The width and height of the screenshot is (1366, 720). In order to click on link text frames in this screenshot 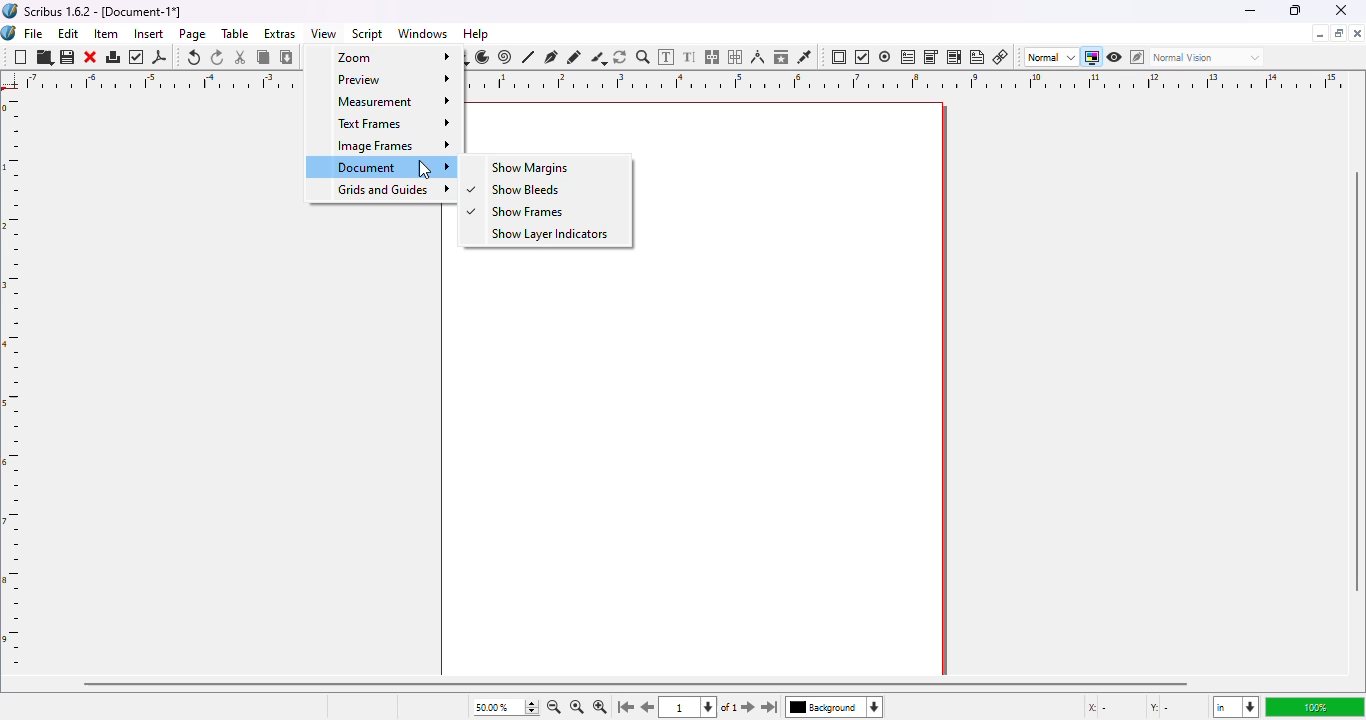, I will do `click(713, 57)`.